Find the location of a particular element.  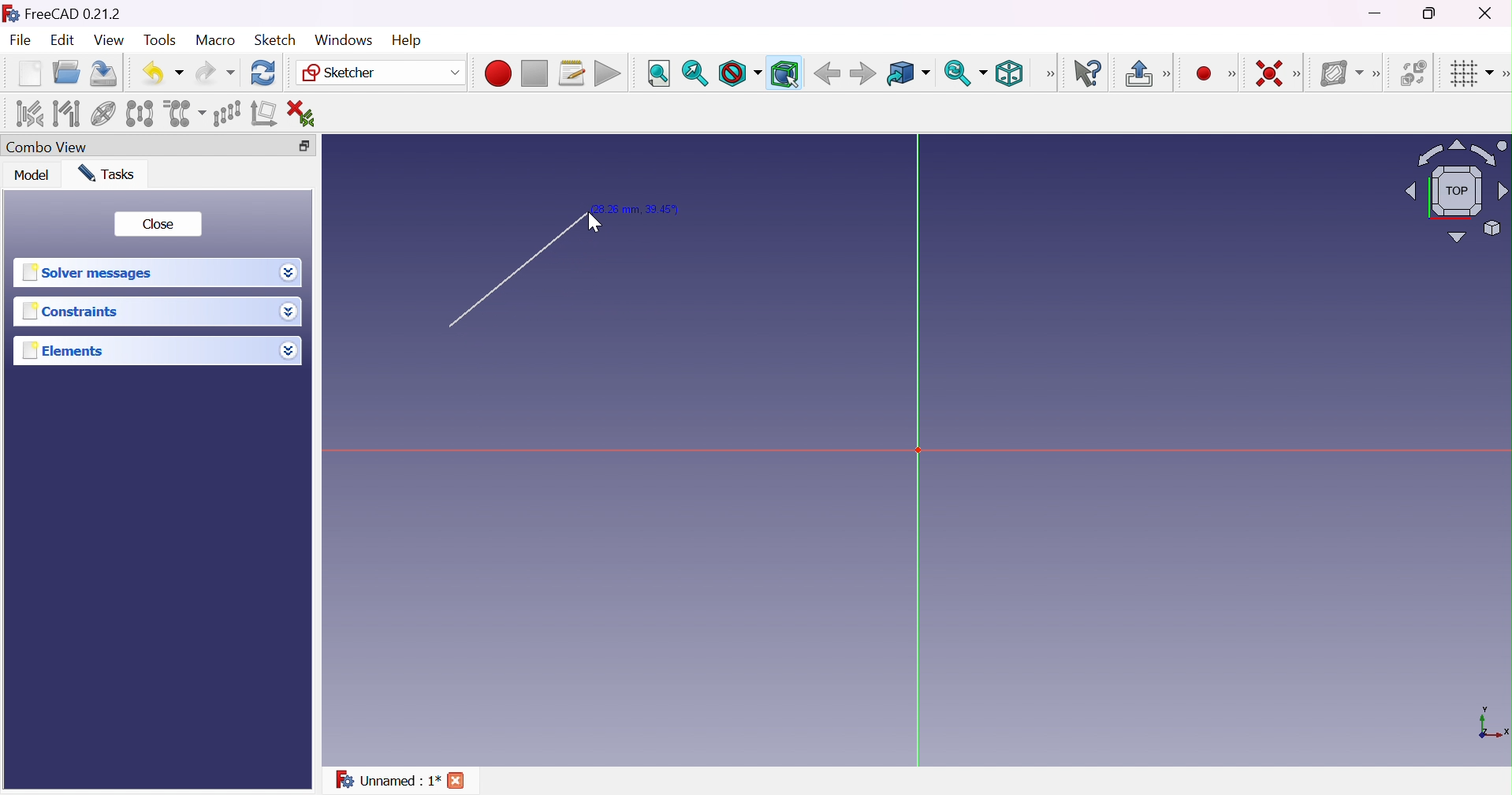

Combo view is located at coordinates (50, 147).